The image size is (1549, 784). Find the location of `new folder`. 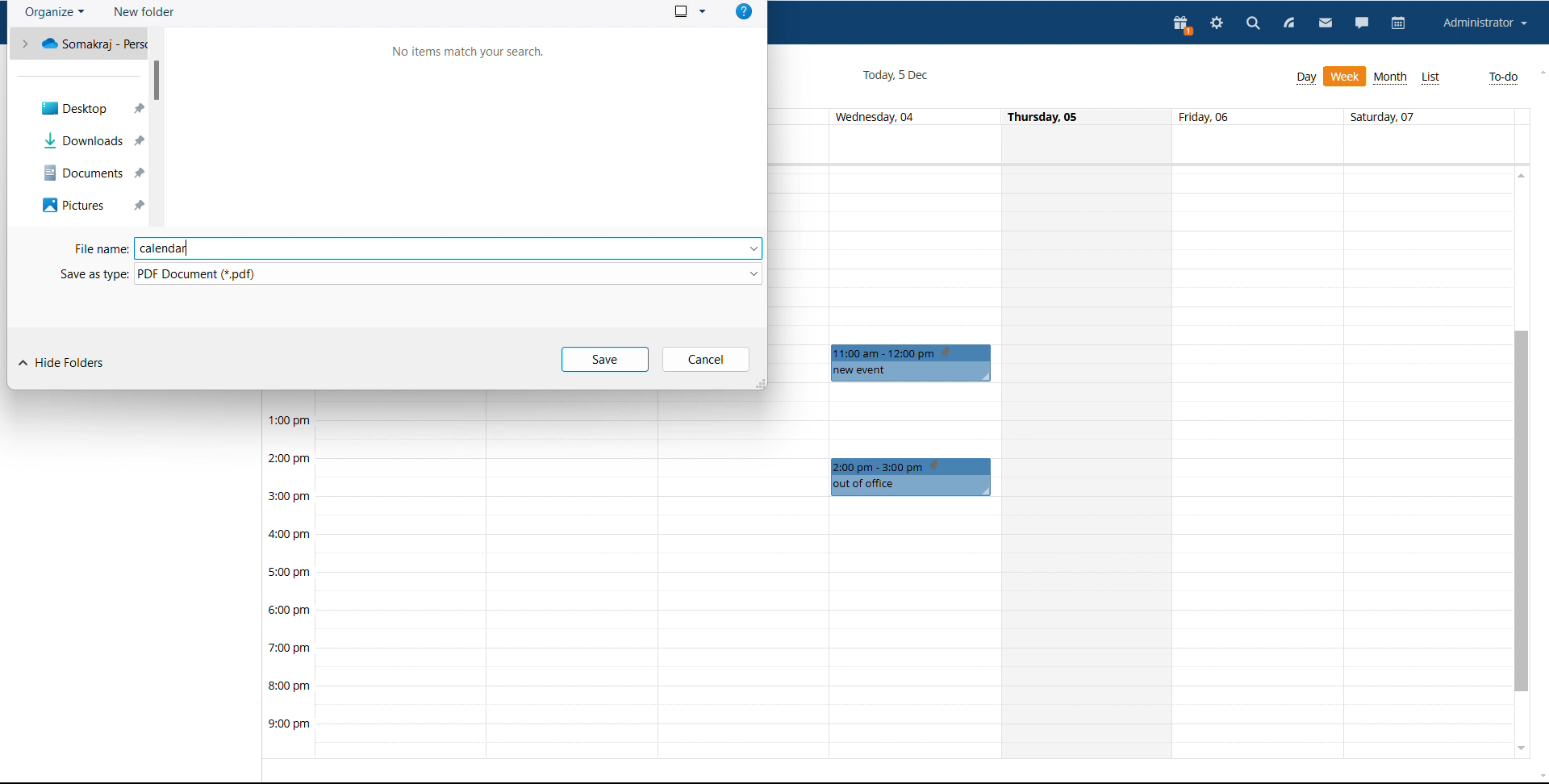

new folder is located at coordinates (144, 12).